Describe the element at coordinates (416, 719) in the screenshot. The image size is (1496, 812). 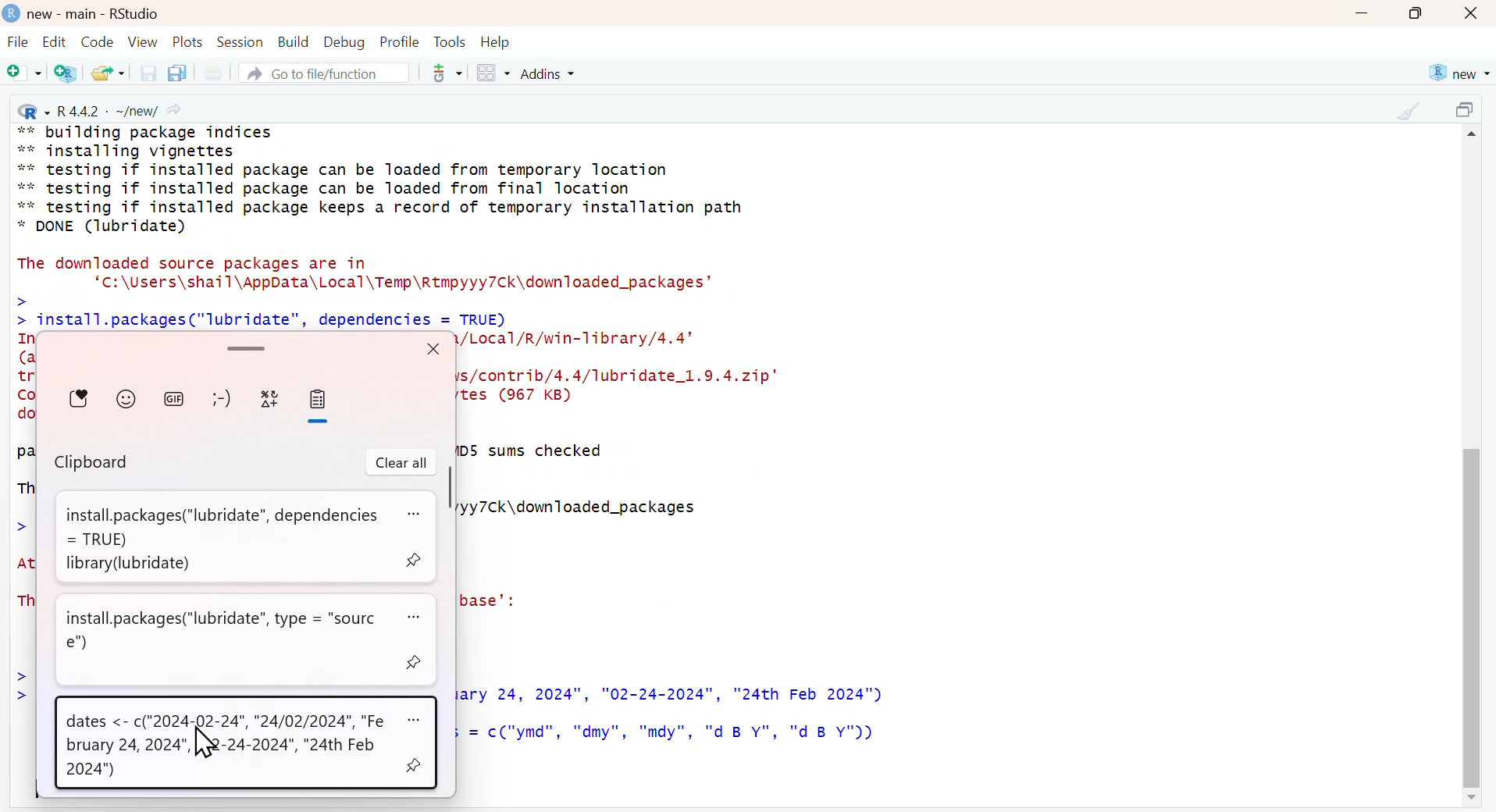
I see `more options` at that location.